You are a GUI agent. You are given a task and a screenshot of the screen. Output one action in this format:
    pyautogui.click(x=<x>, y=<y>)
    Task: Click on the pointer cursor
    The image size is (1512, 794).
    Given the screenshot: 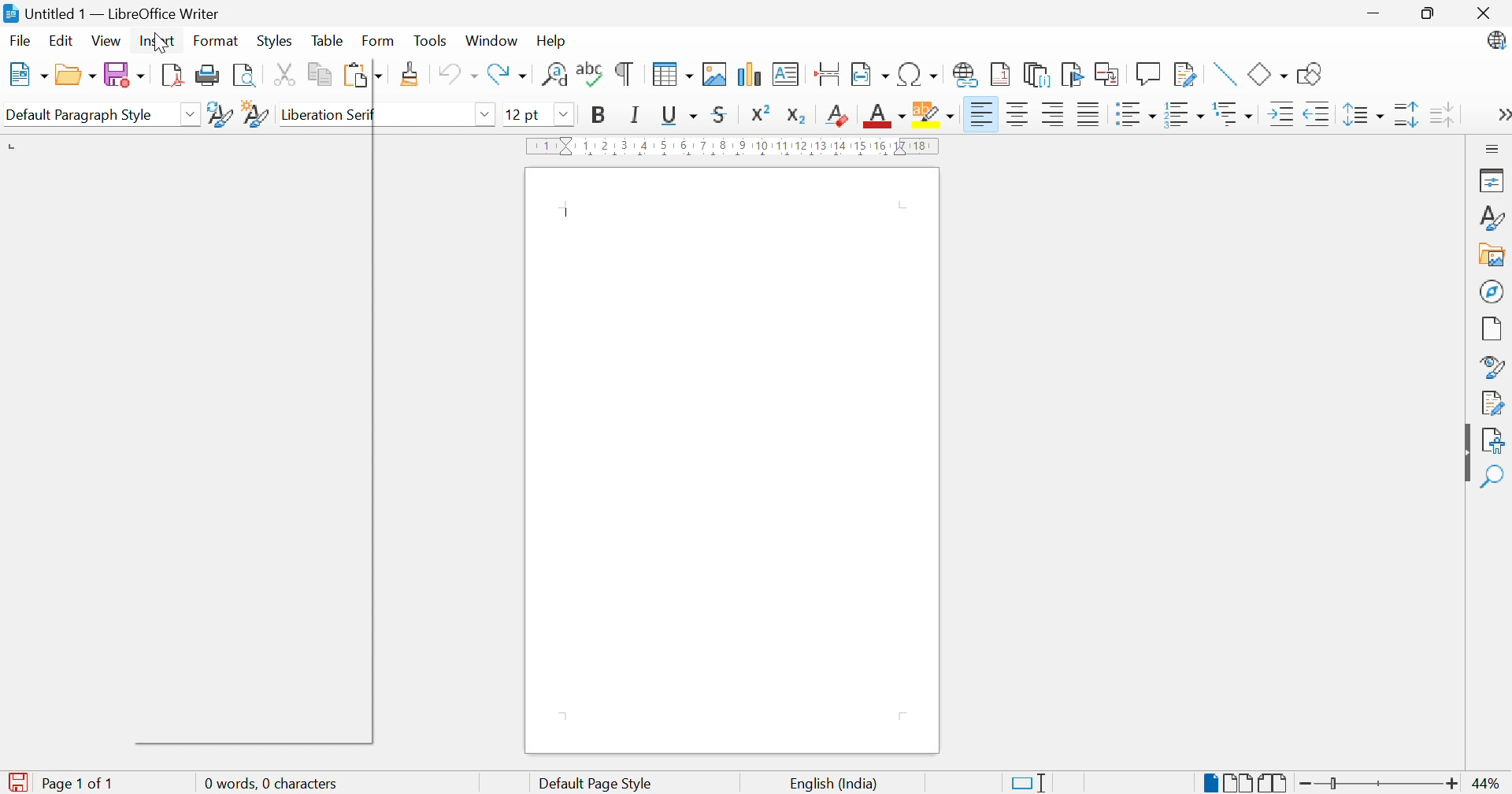 What is the action you would take?
    pyautogui.click(x=165, y=42)
    